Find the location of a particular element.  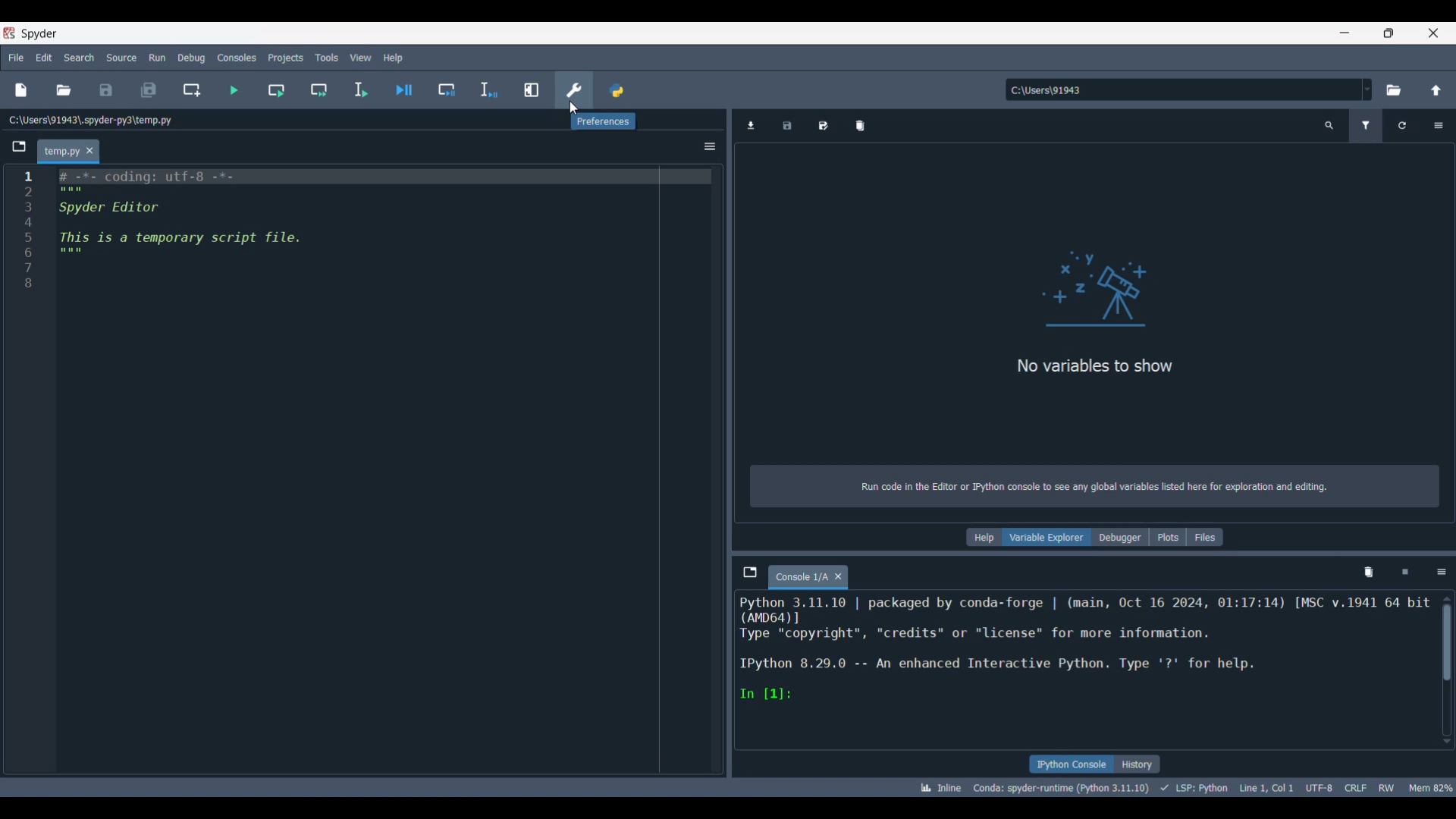

Close tab is located at coordinates (839, 576).